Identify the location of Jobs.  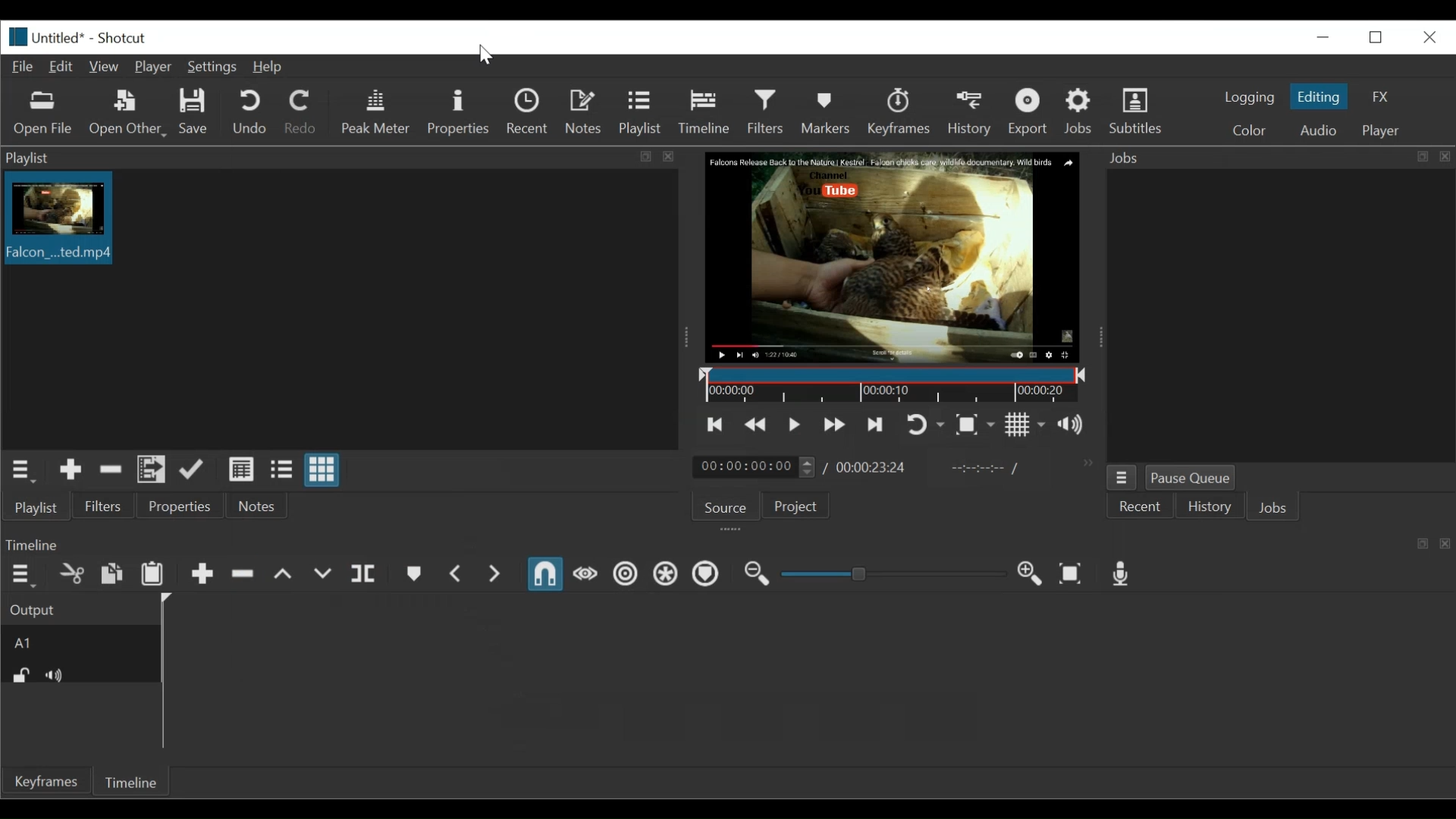
(1275, 510).